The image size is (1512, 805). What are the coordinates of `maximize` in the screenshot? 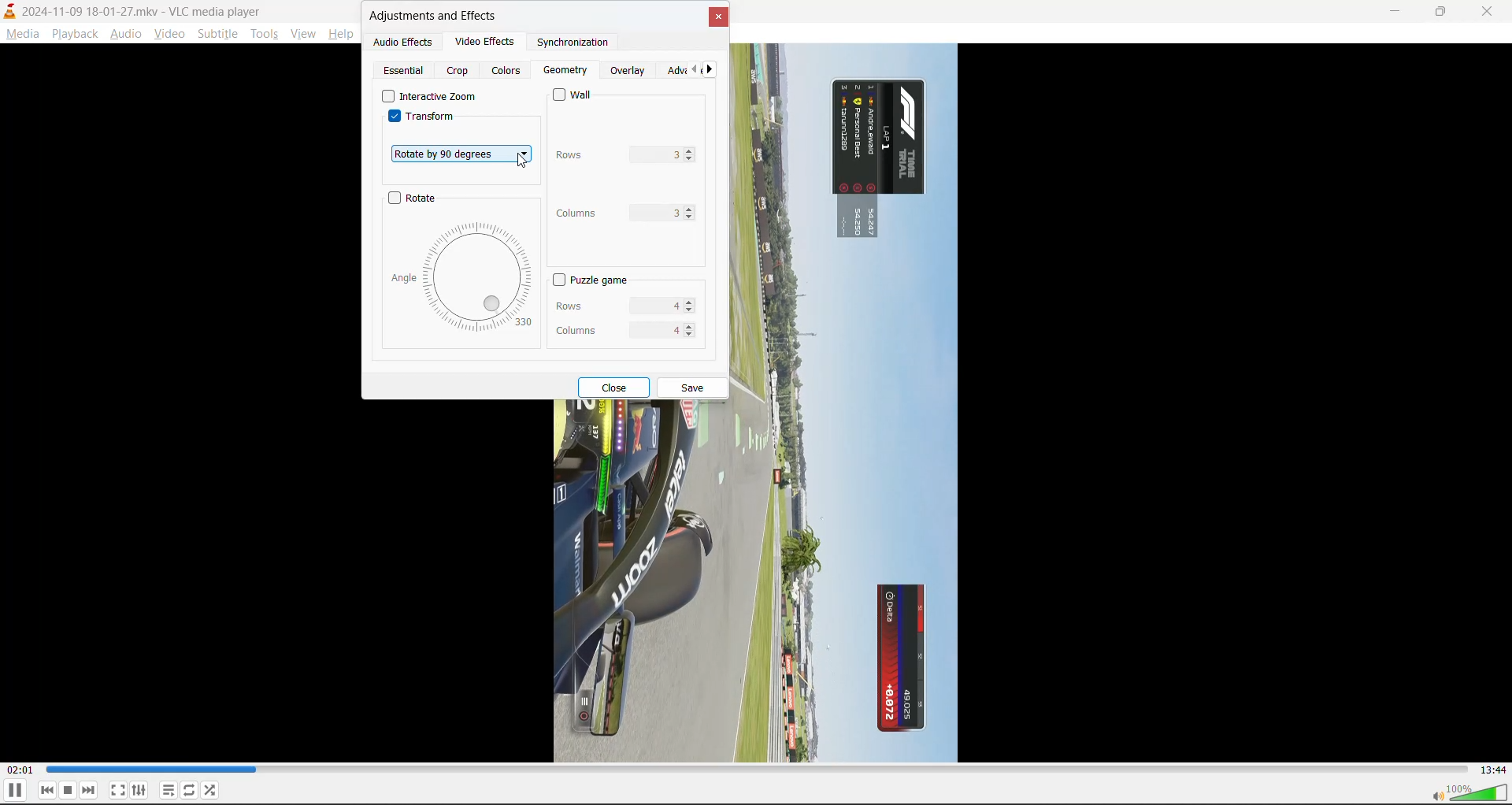 It's located at (1449, 13).